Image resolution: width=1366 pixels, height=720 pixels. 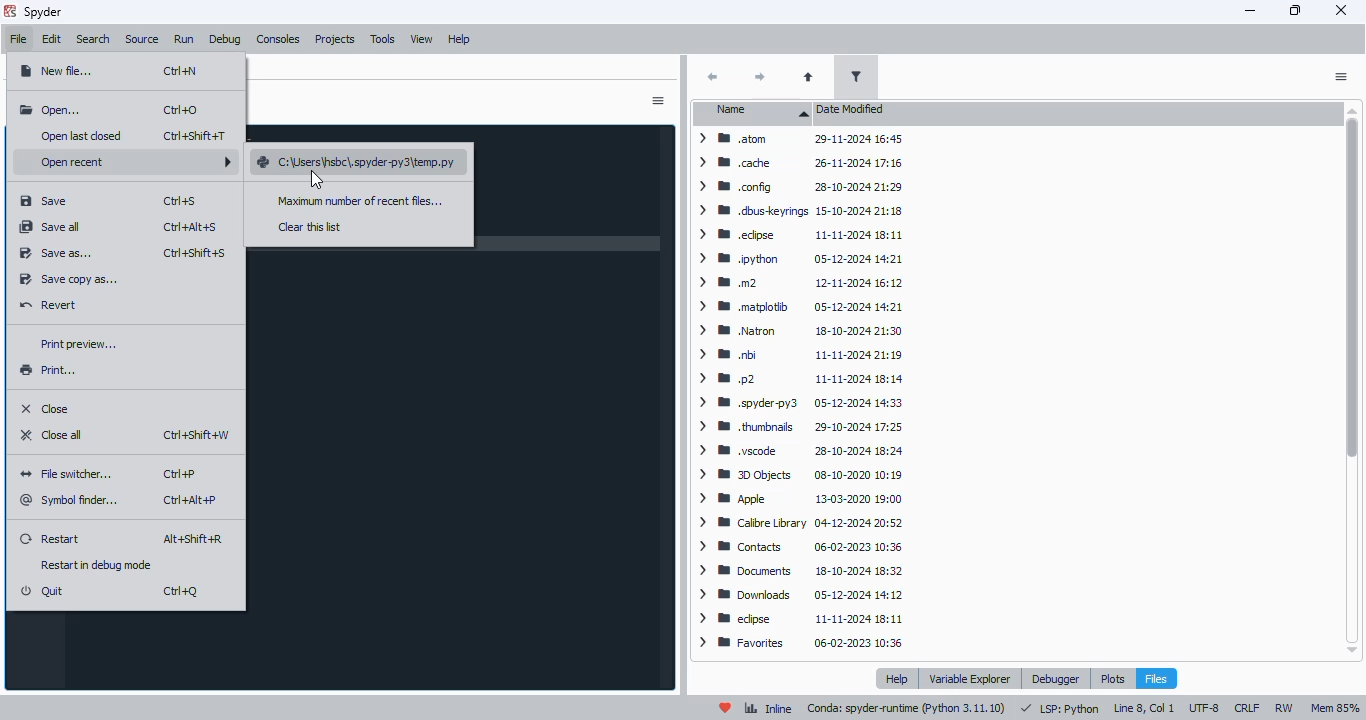 What do you see at coordinates (768, 707) in the screenshot?
I see `inline` at bounding box center [768, 707].